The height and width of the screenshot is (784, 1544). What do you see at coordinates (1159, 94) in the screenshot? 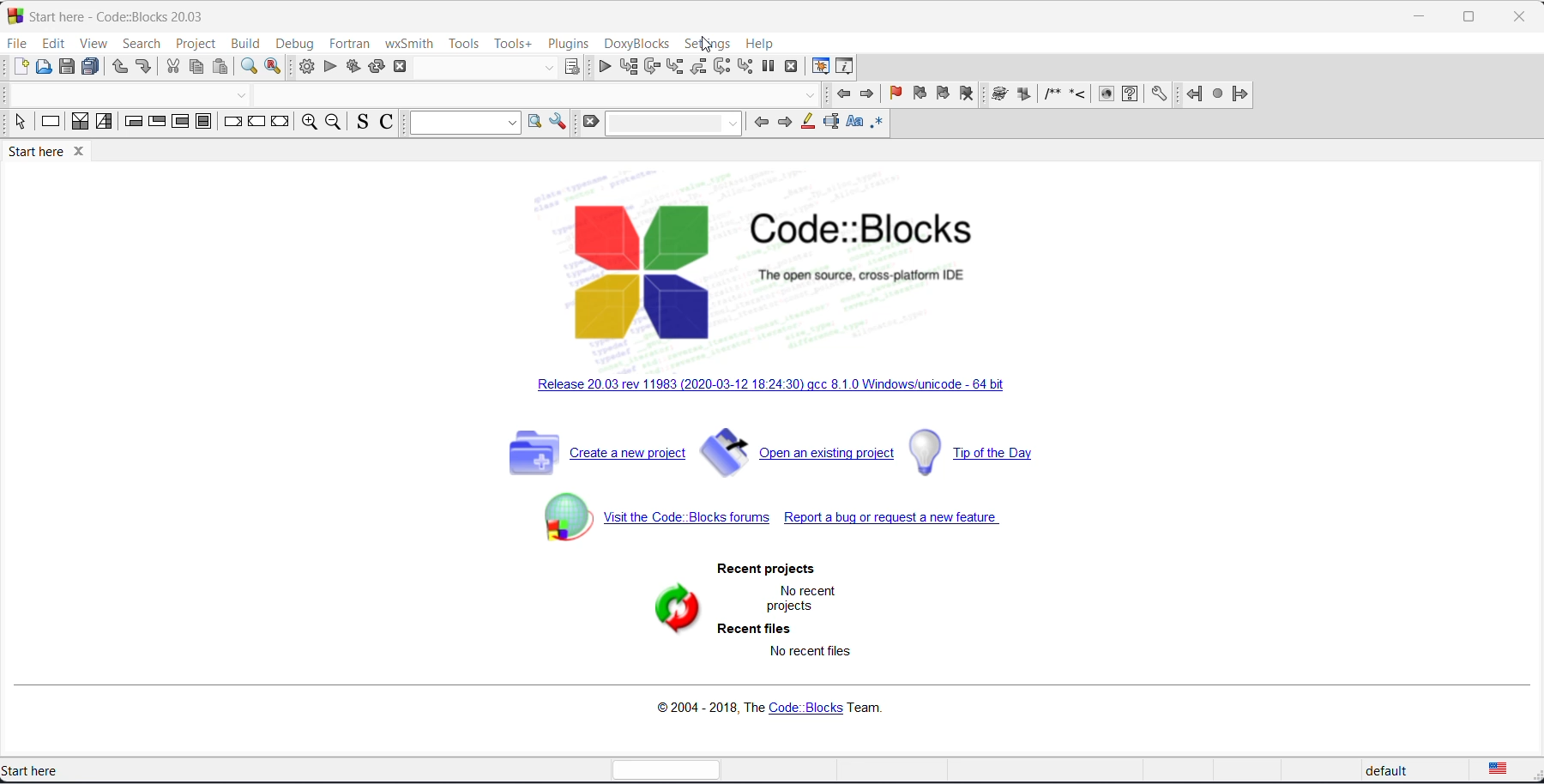
I see `settings` at bounding box center [1159, 94].